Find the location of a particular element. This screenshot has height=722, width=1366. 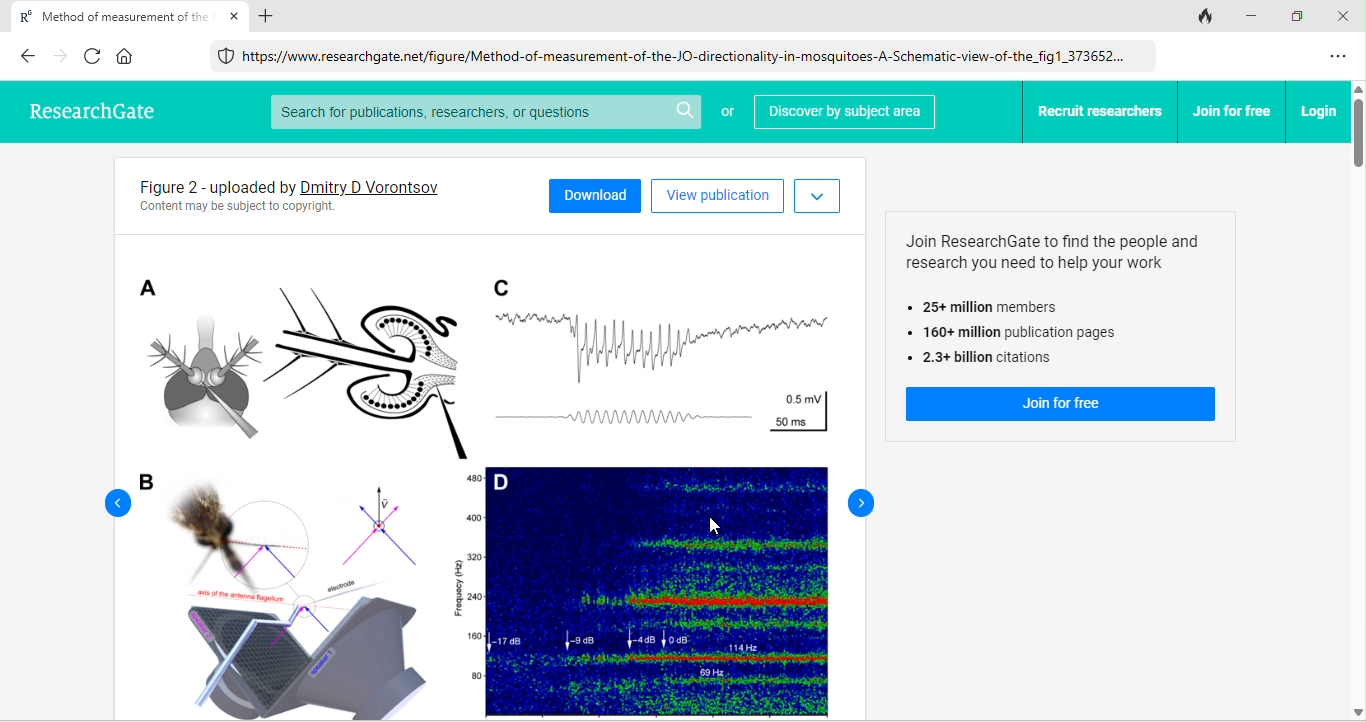

join for free is located at coordinates (1233, 111).